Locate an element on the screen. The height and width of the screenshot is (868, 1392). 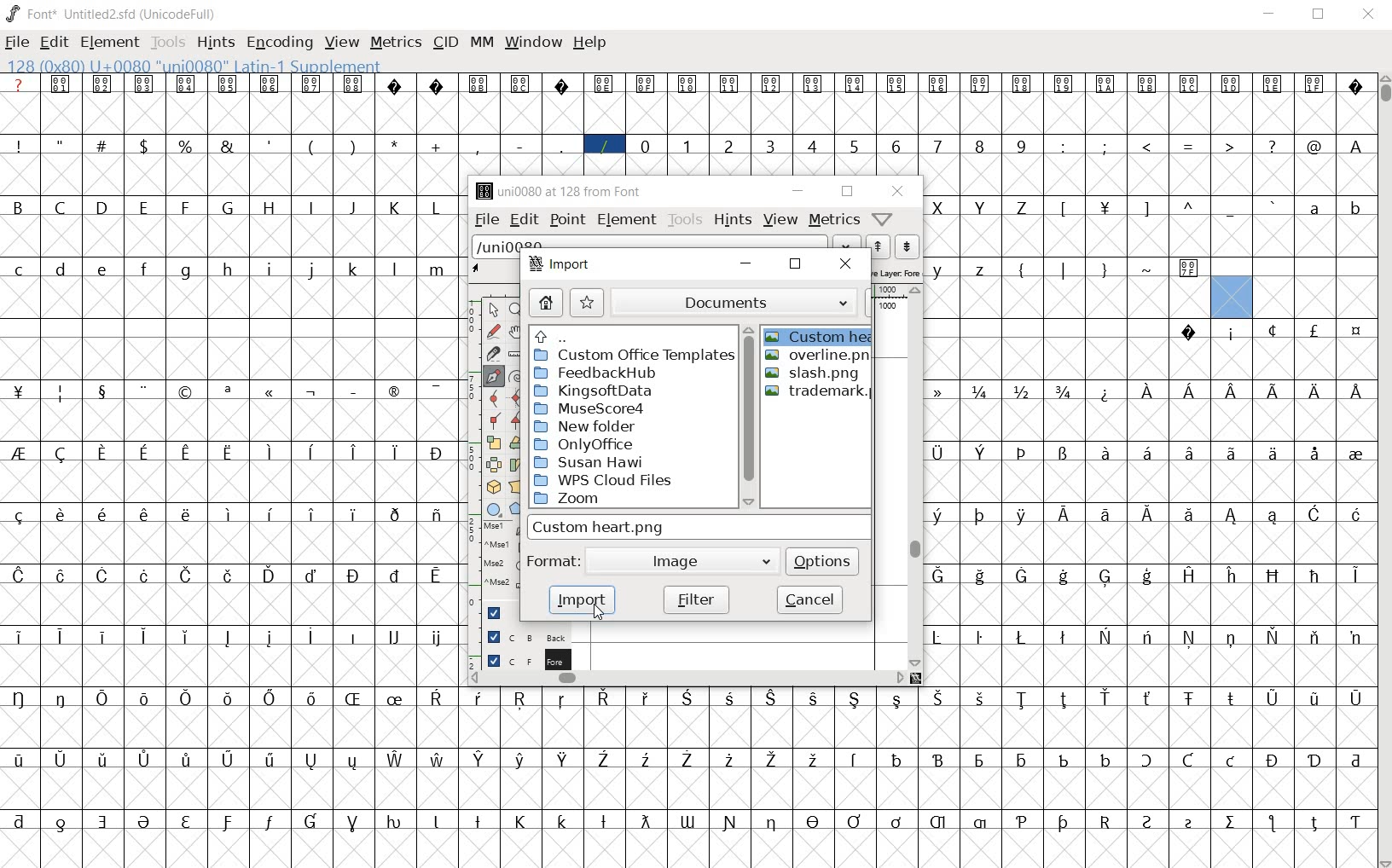
glyph is located at coordinates (896, 84).